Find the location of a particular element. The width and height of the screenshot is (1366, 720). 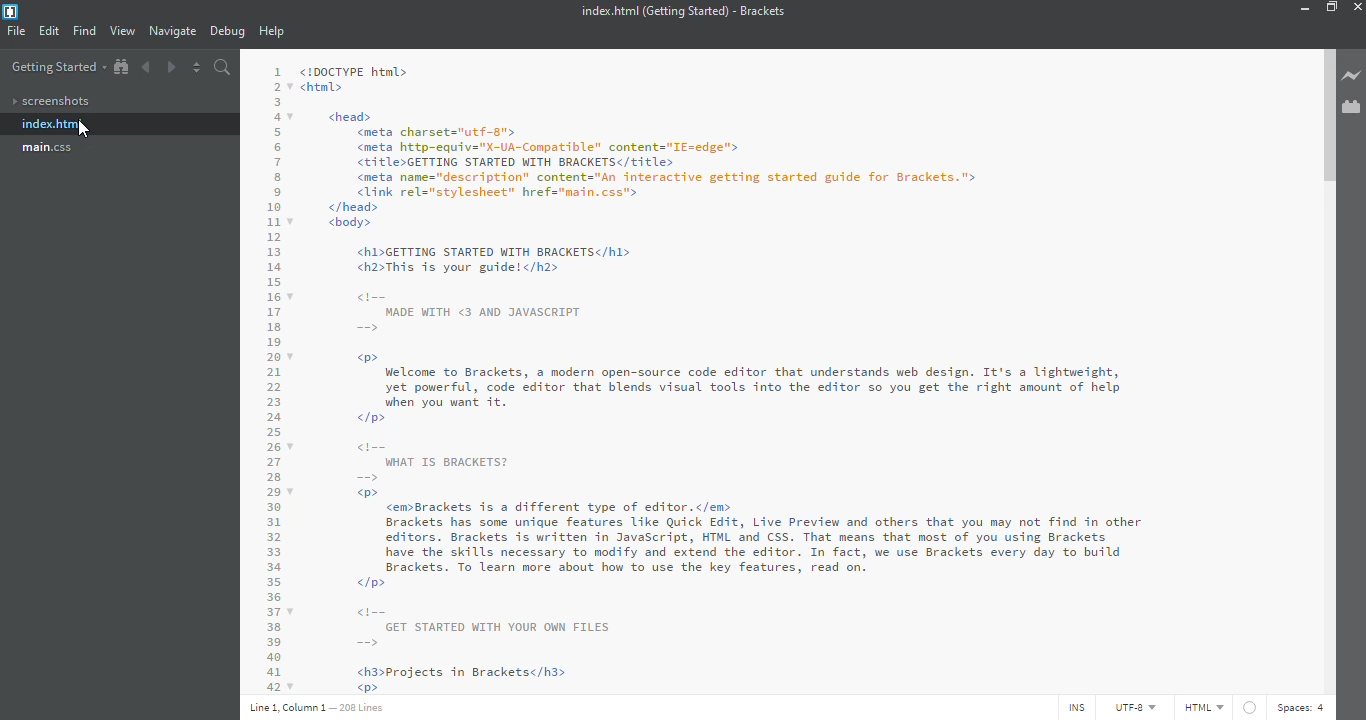

debug is located at coordinates (227, 32).